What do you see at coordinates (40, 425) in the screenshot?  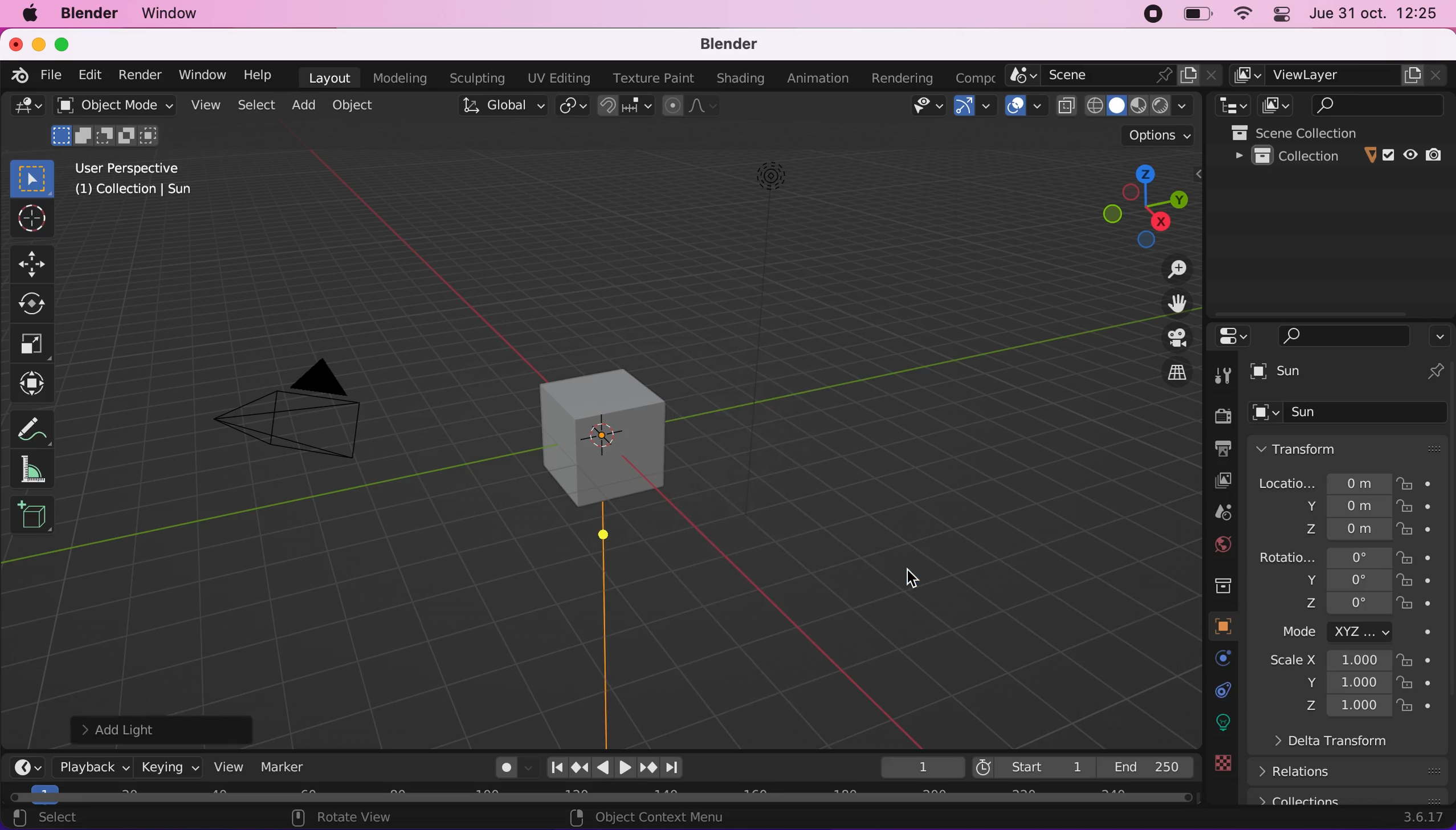 I see `measure` at bounding box center [40, 425].